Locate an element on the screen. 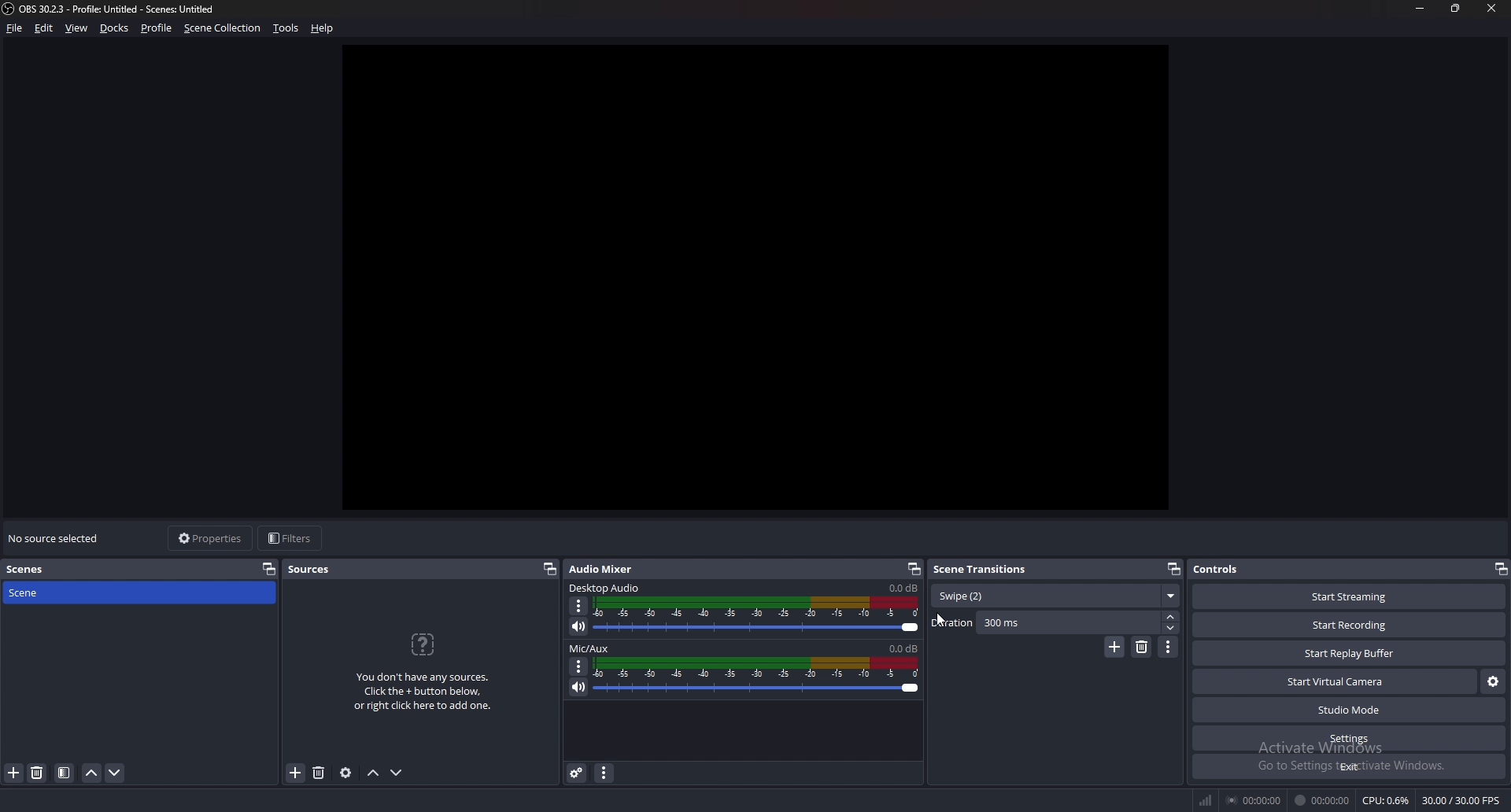 Image resolution: width=1511 pixels, height=812 pixels. pop out is located at coordinates (1174, 569).